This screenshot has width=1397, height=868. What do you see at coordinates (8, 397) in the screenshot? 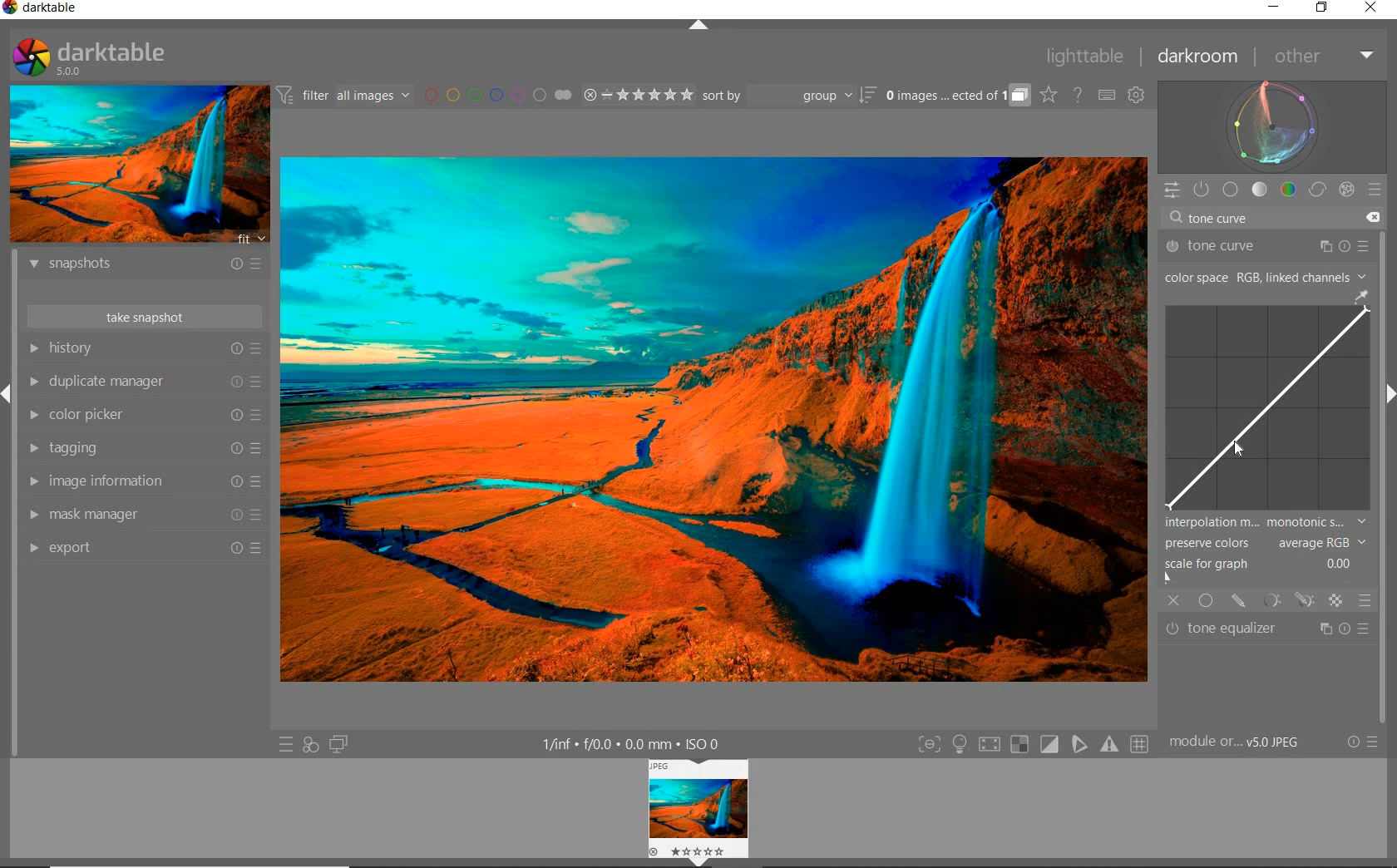
I see `Expand/Collapse` at bounding box center [8, 397].